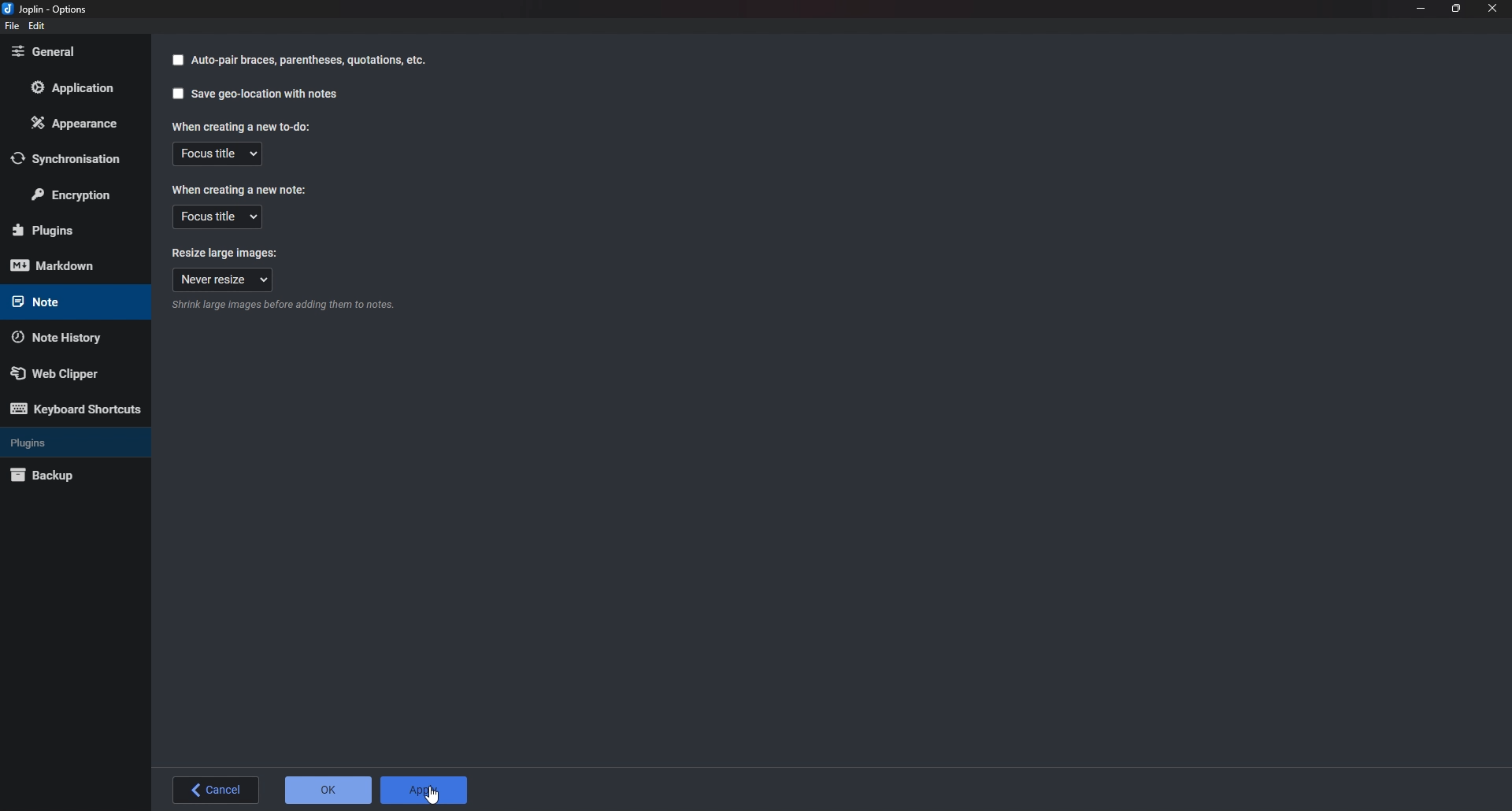  Describe the element at coordinates (71, 230) in the screenshot. I see `Plugins` at that location.